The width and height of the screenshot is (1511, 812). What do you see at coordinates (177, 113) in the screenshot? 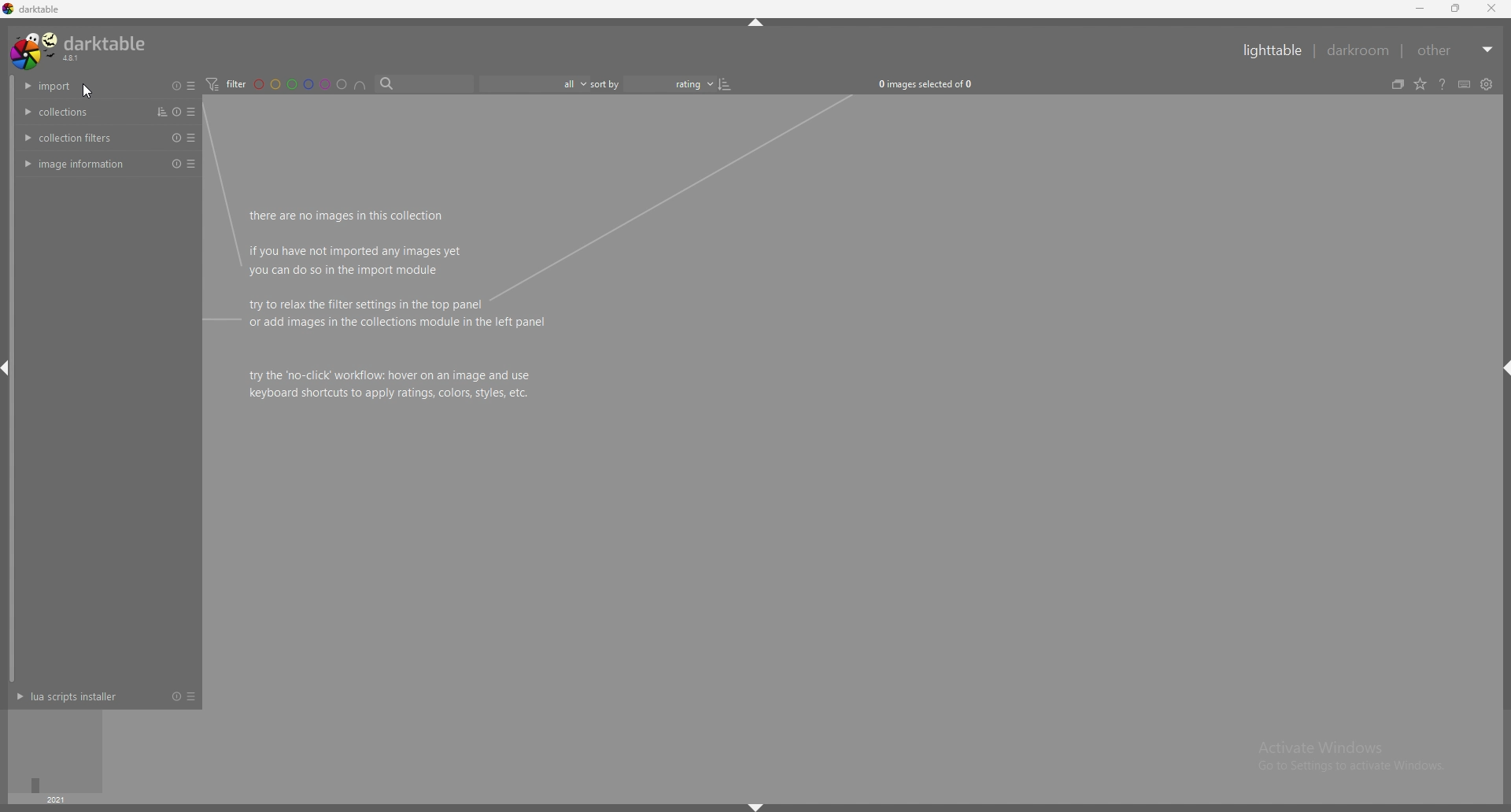
I see `reset` at bounding box center [177, 113].